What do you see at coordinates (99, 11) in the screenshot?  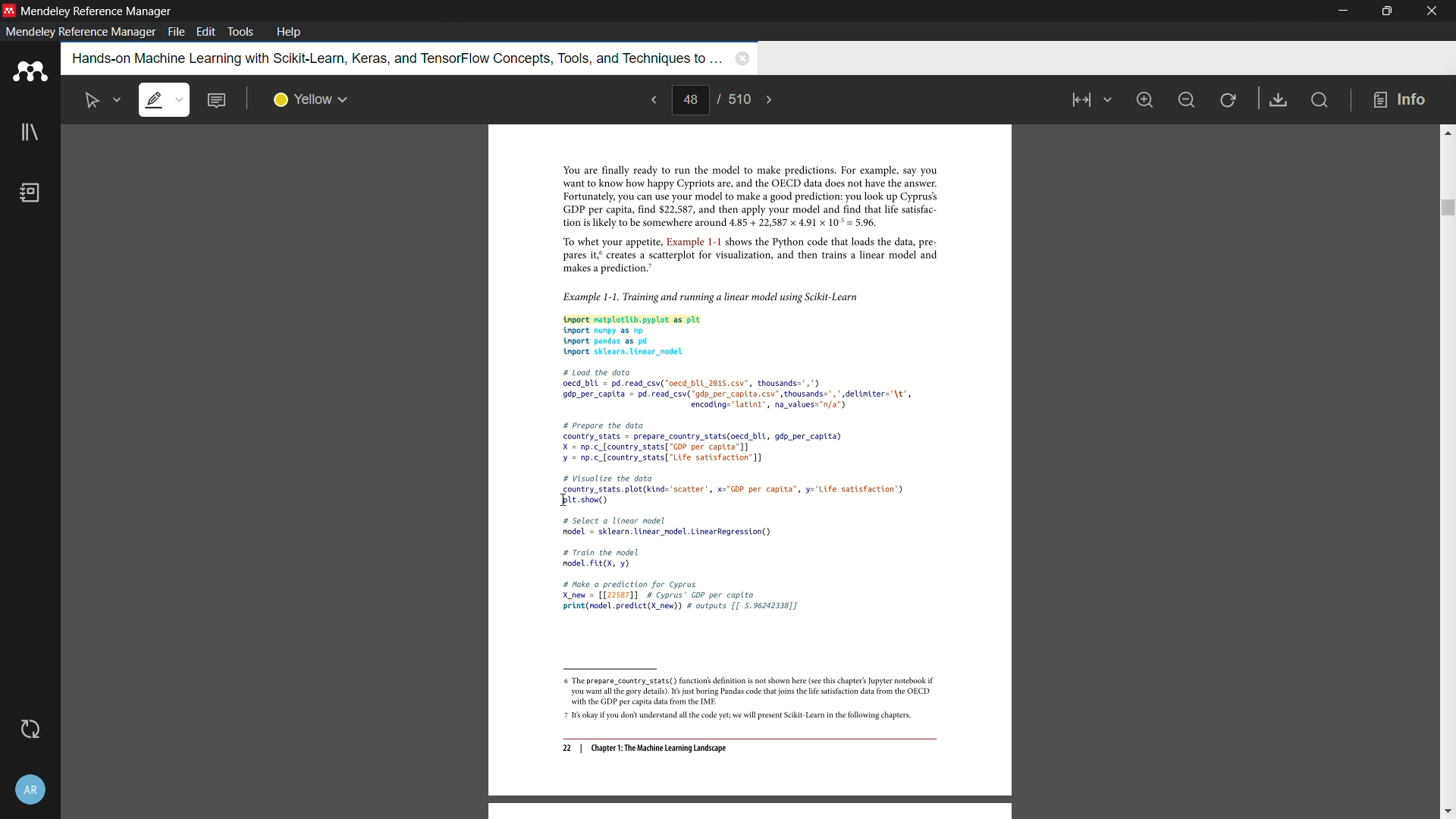 I see `app name` at bounding box center [99, 11].